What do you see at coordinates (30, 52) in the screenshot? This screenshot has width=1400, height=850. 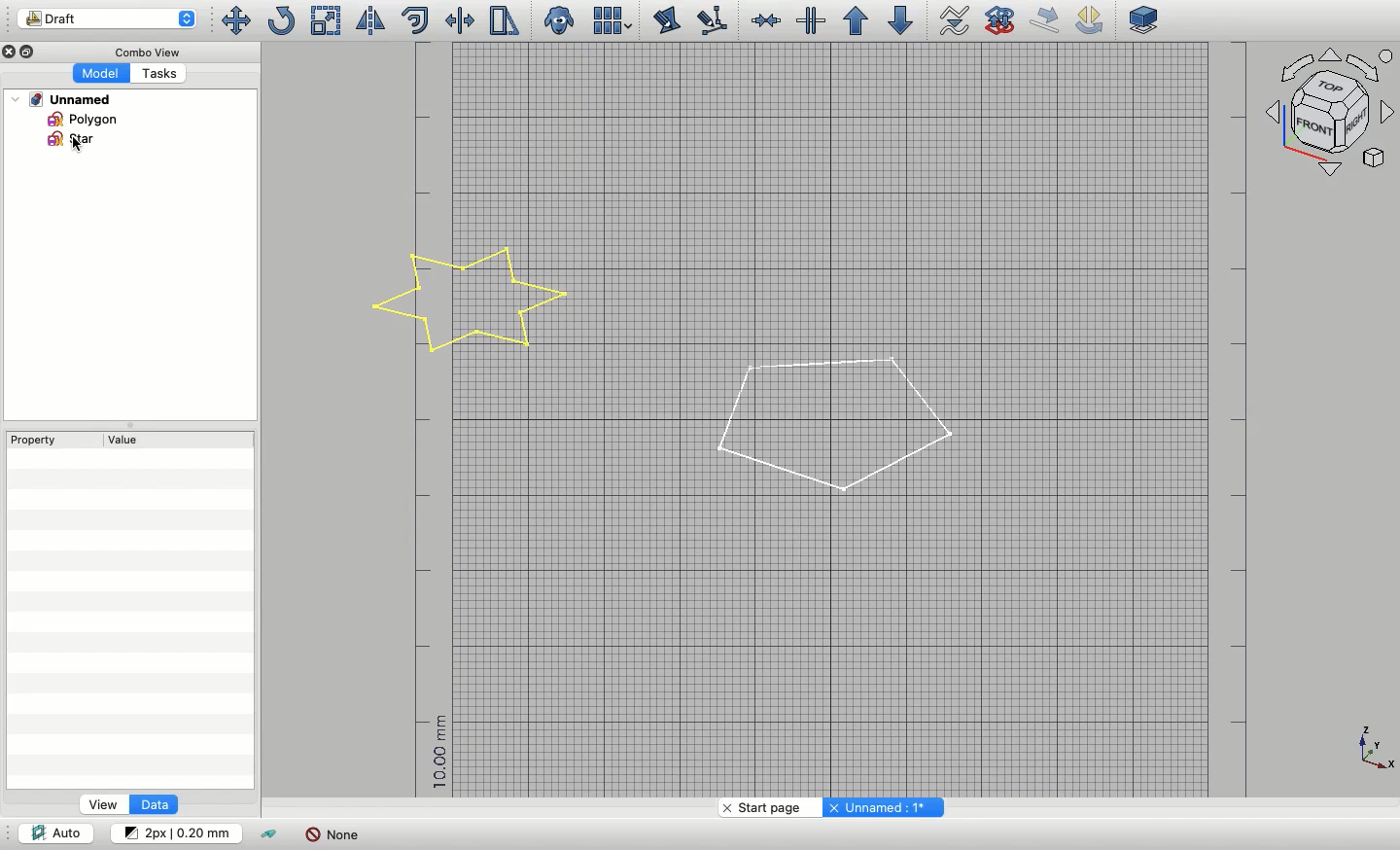 I see `Collapse` at bounding box center [30, 52].